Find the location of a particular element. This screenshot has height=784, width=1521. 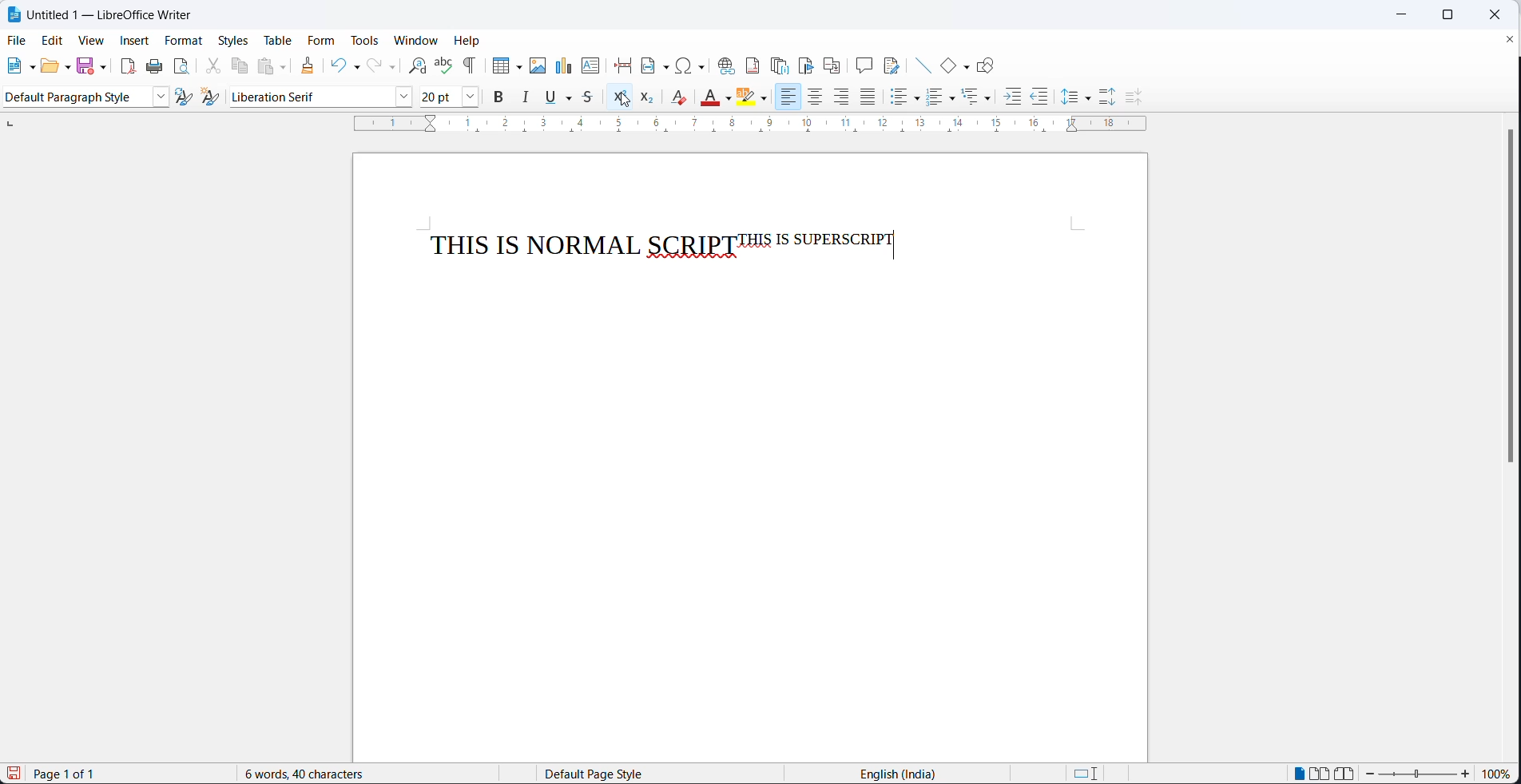

toggle ordered list options is located at coordinates (953, 98).